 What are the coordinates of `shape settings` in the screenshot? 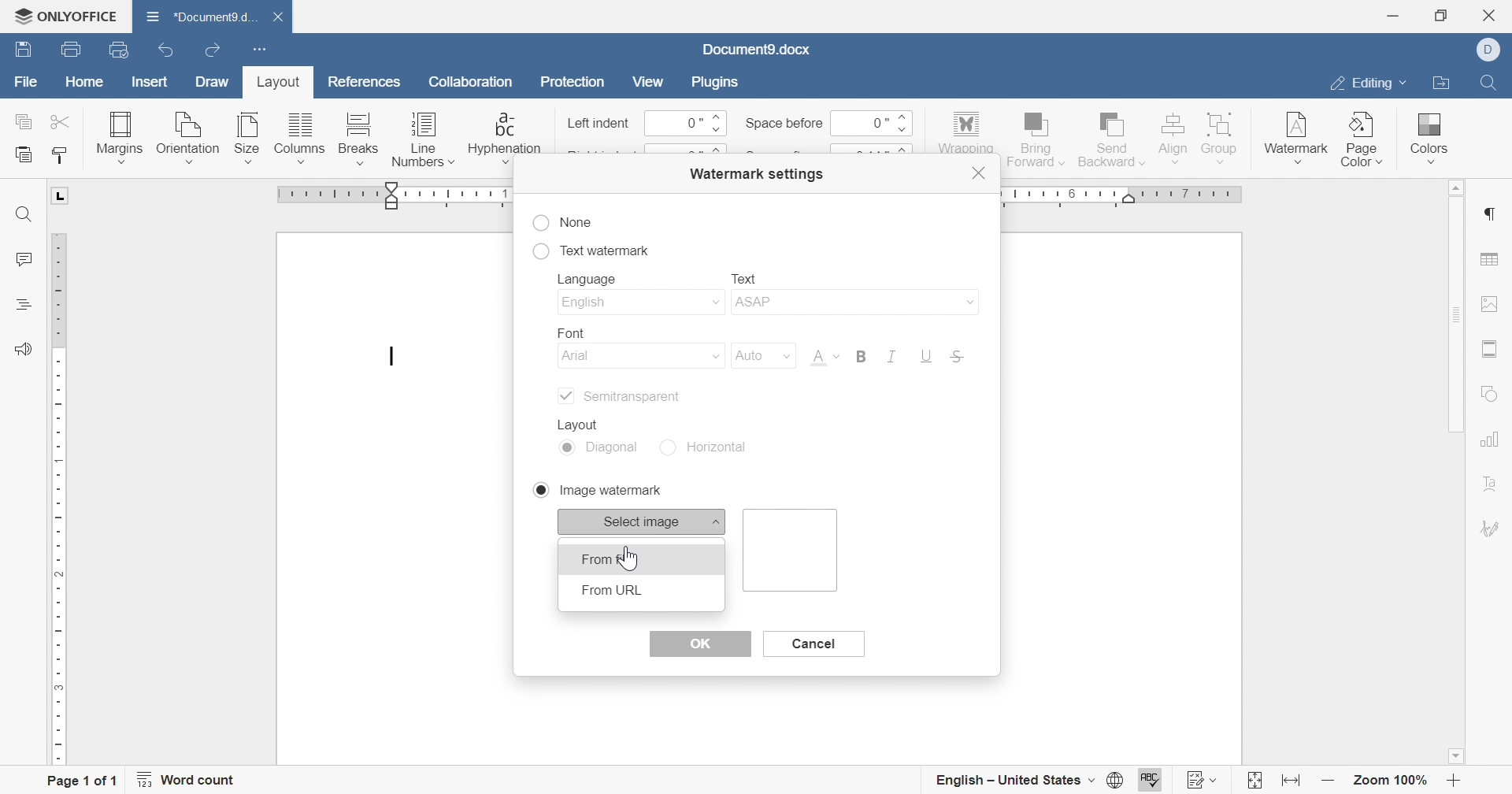 It's located at (1491, 395).